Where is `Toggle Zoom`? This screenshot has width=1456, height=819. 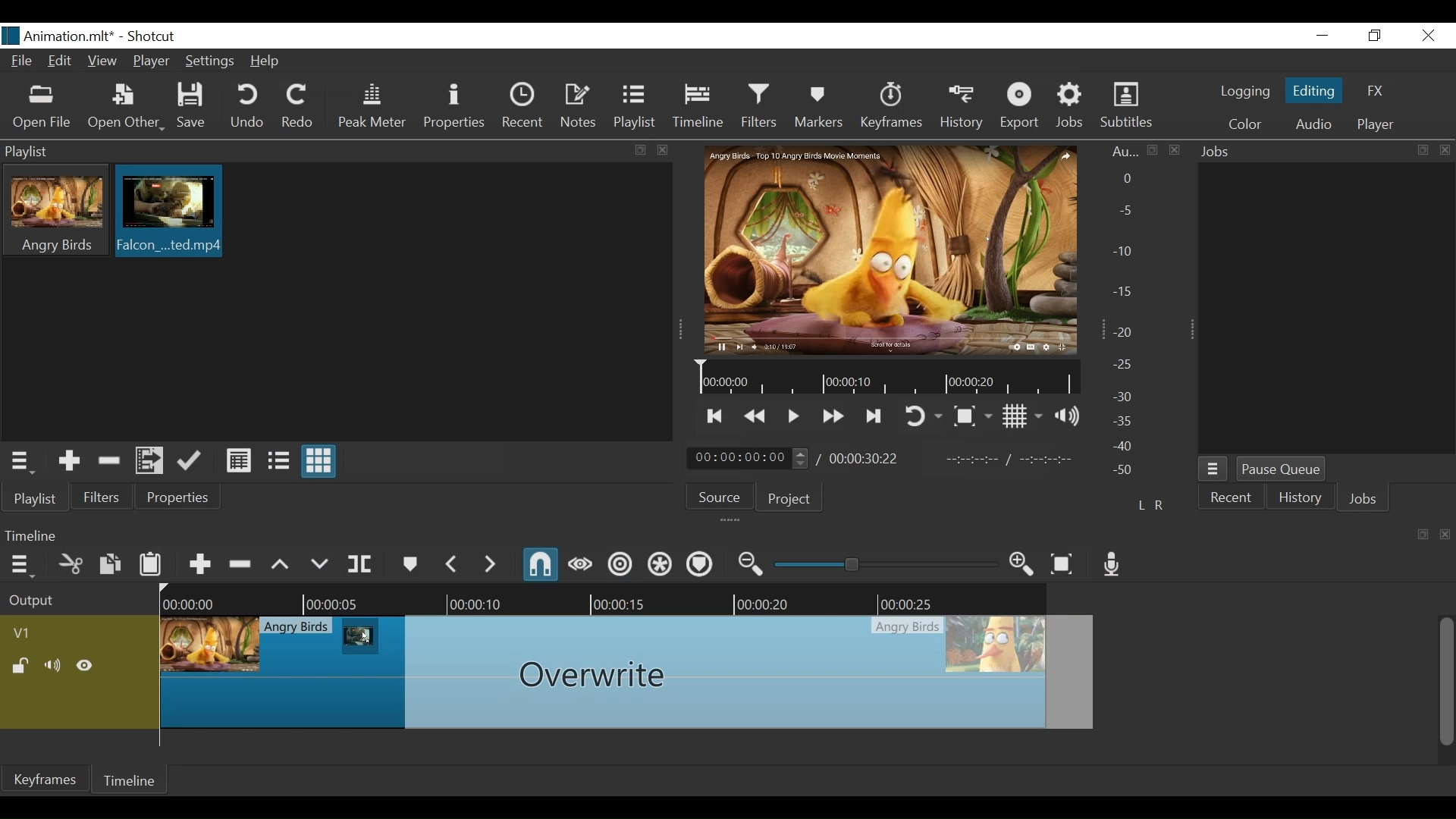
Toggle Zoom is located at coordinates (973, 416).